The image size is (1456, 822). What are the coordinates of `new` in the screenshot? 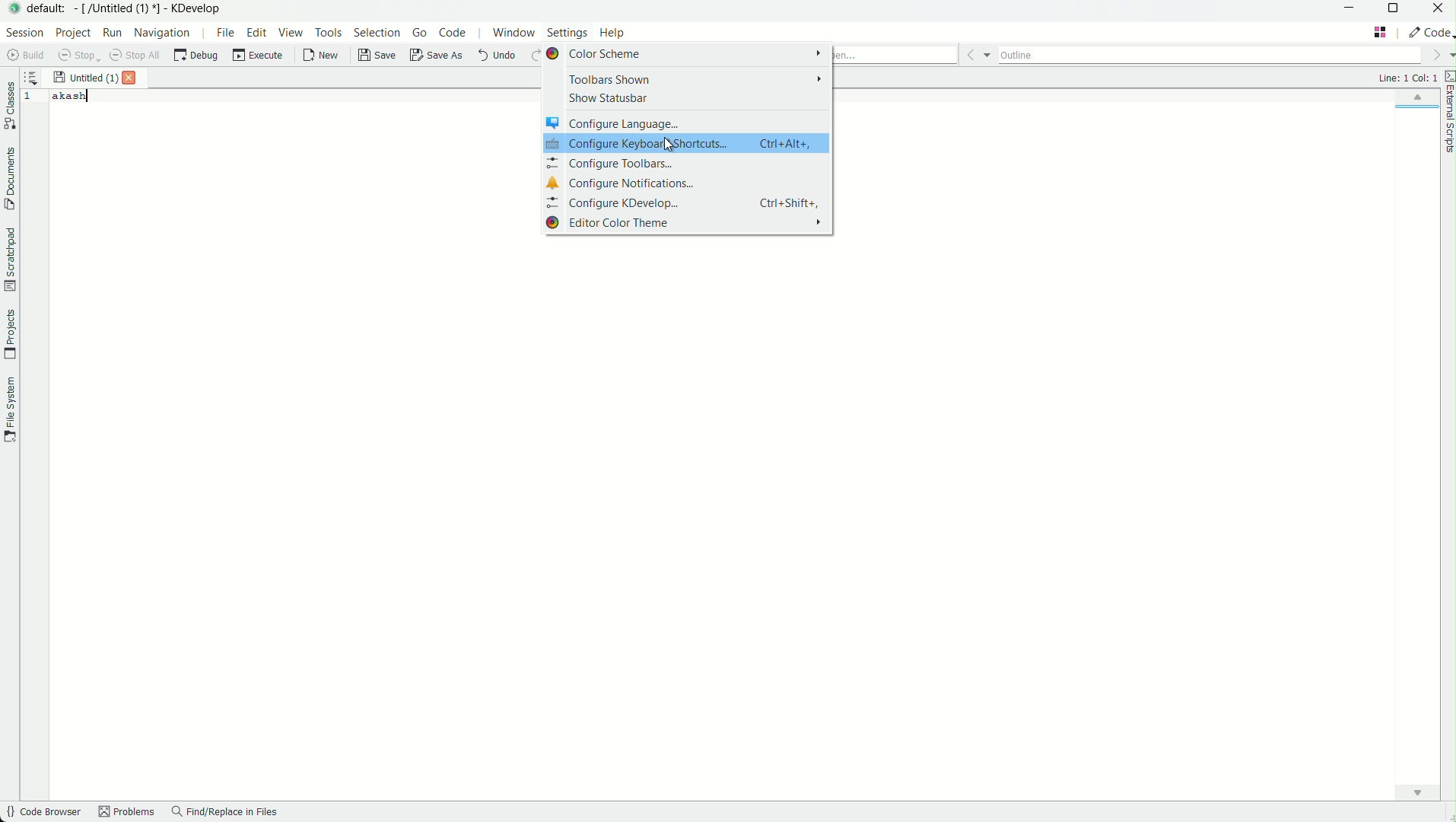 It's located at (322, 57).